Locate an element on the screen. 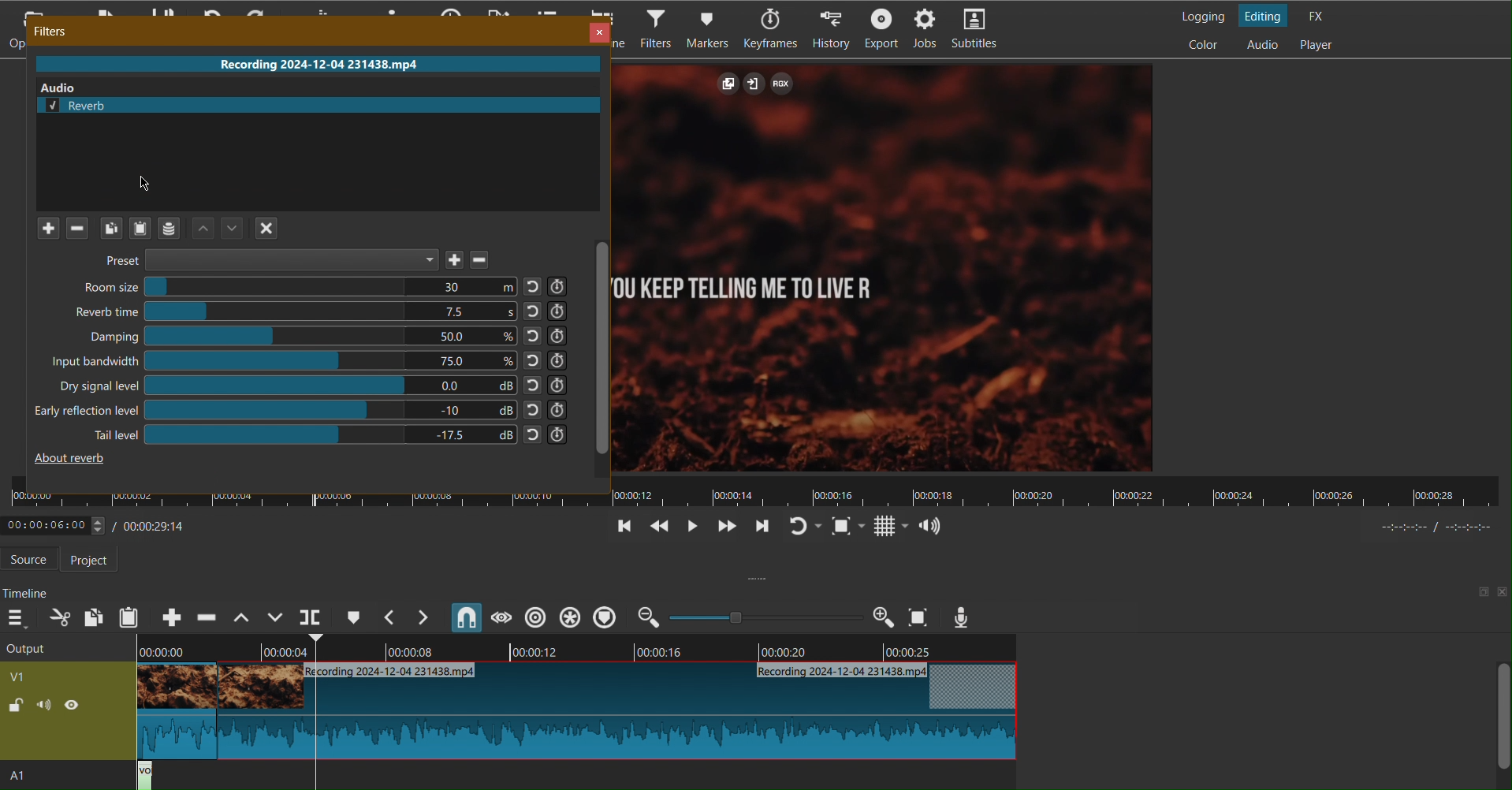 This screenshot has width=1512, height=790. Ripple Delete is located at coordinates (206, 617).